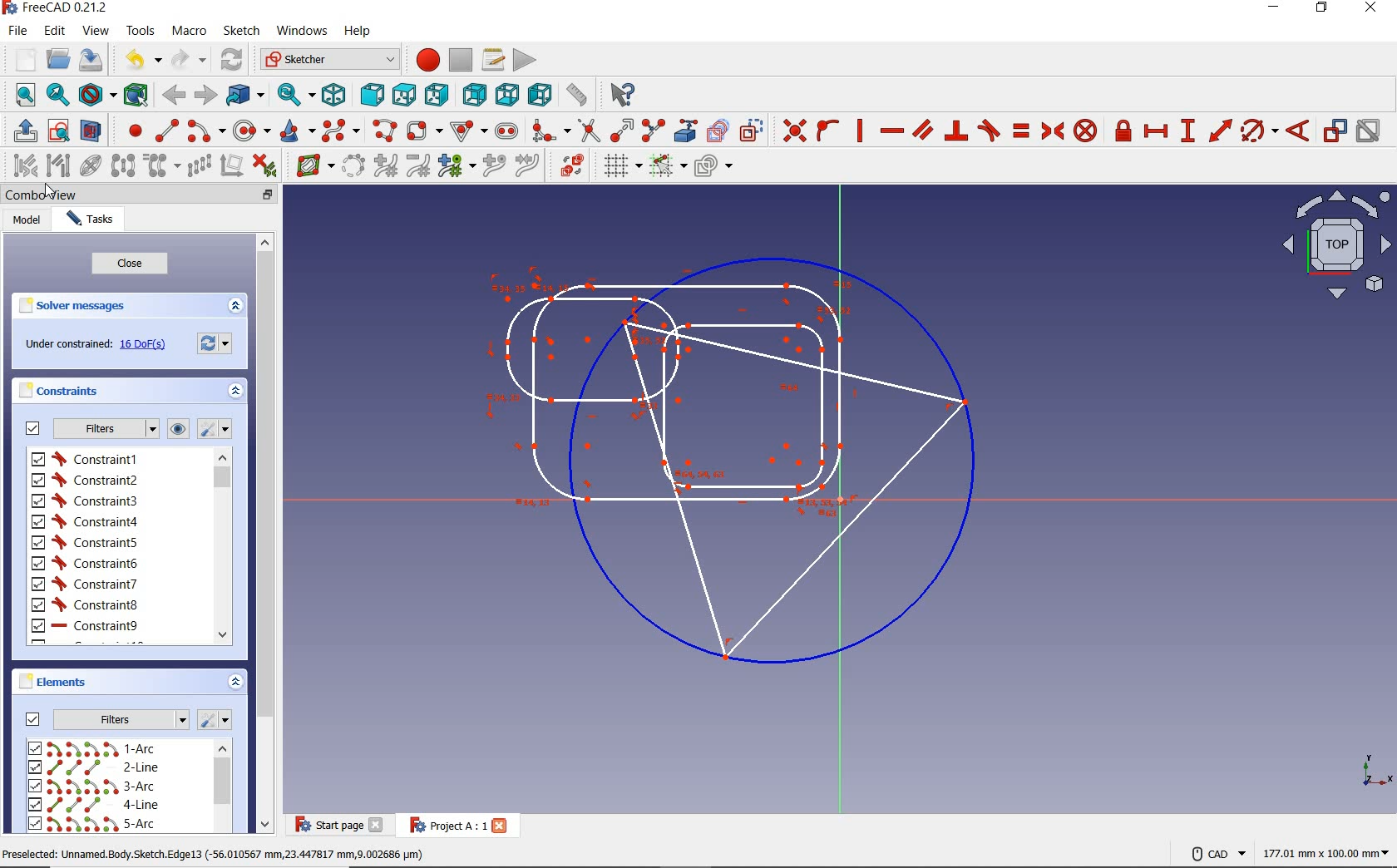  Describe the element at coordinates (205, 131) in the screenshot. I see `create arc` at that location.